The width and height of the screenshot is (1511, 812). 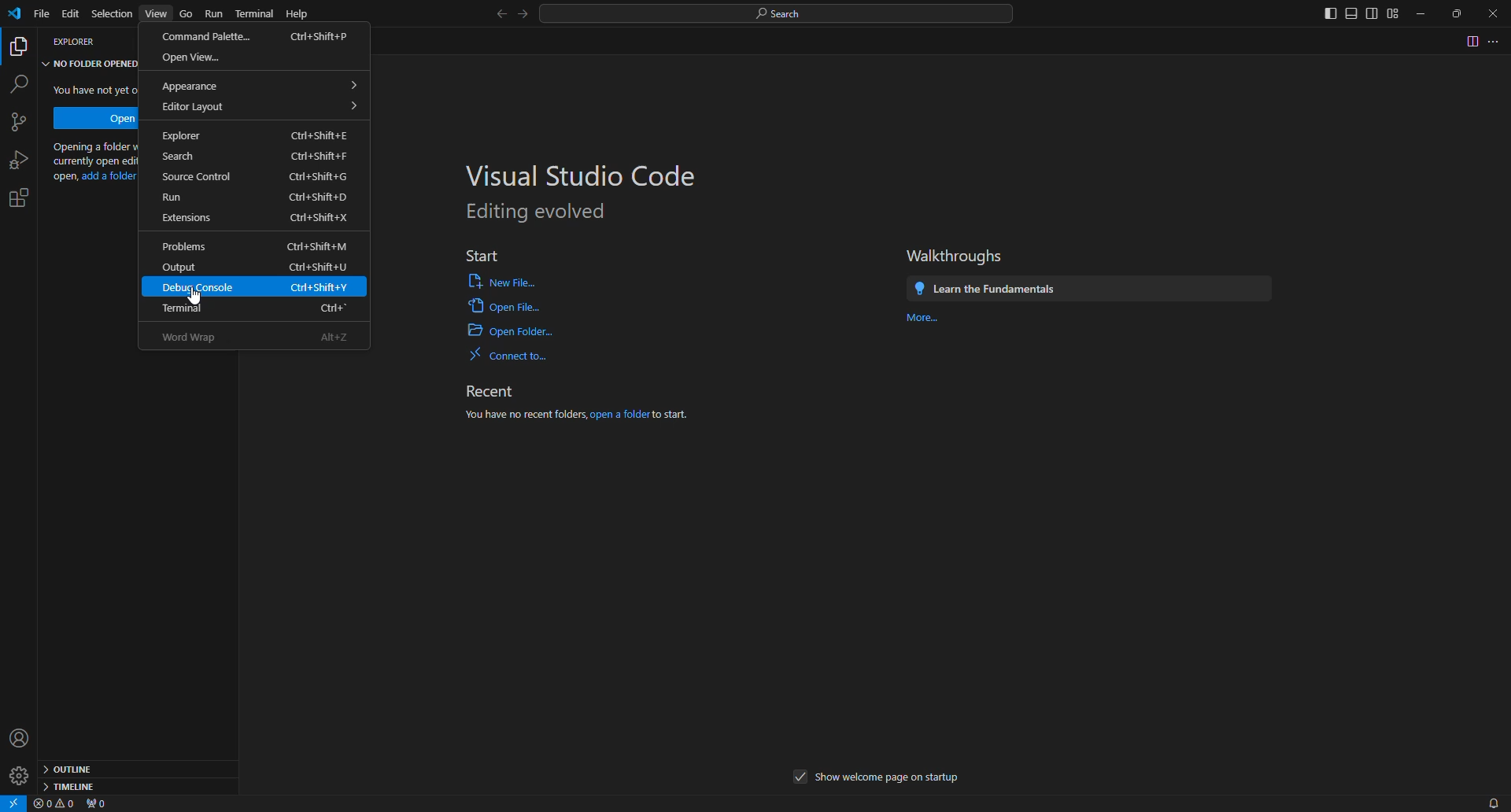 I want to click on More, so click(x=924, y=323).